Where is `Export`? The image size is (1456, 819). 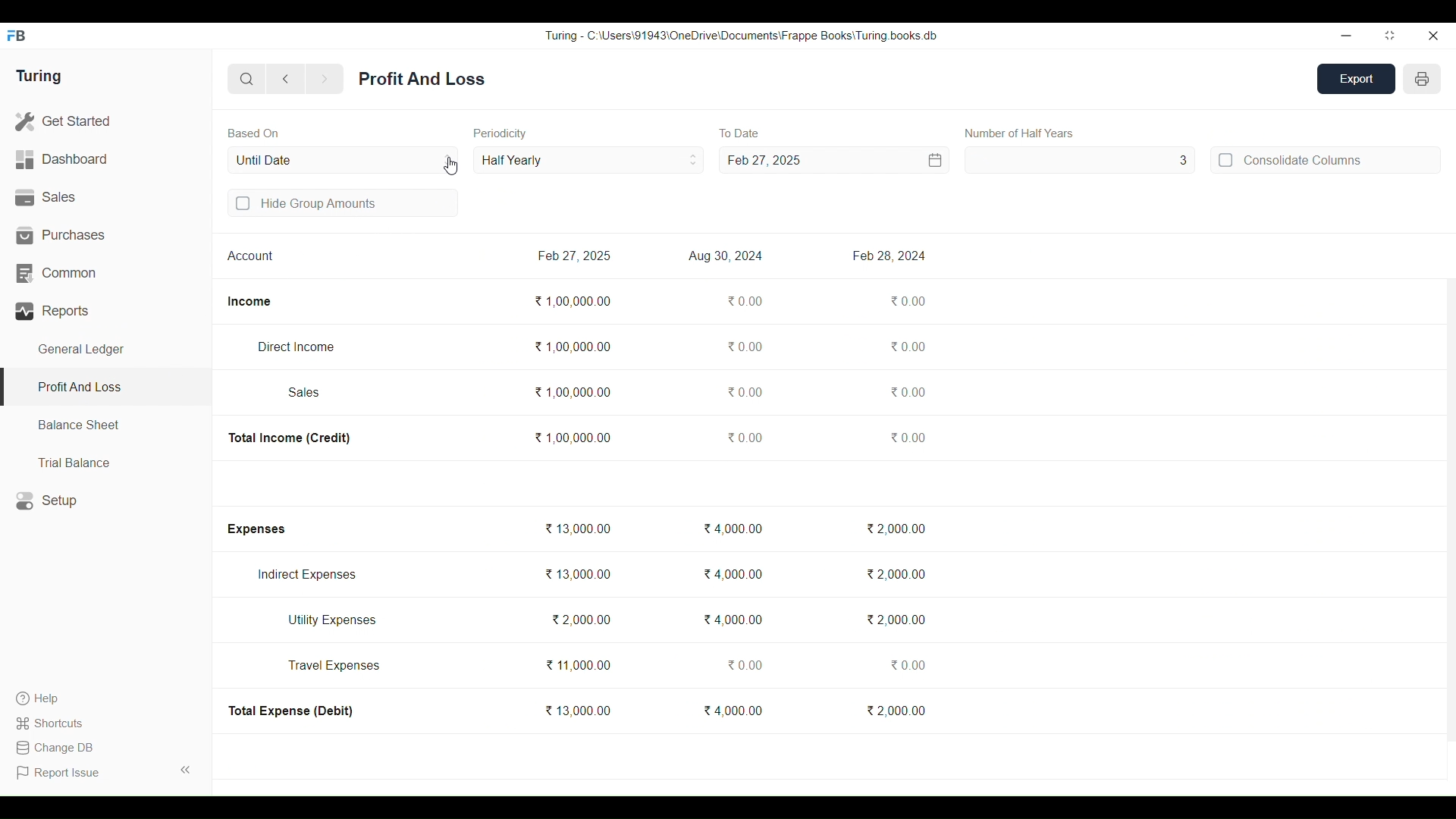 Export is located at coordinates (1357, 79).